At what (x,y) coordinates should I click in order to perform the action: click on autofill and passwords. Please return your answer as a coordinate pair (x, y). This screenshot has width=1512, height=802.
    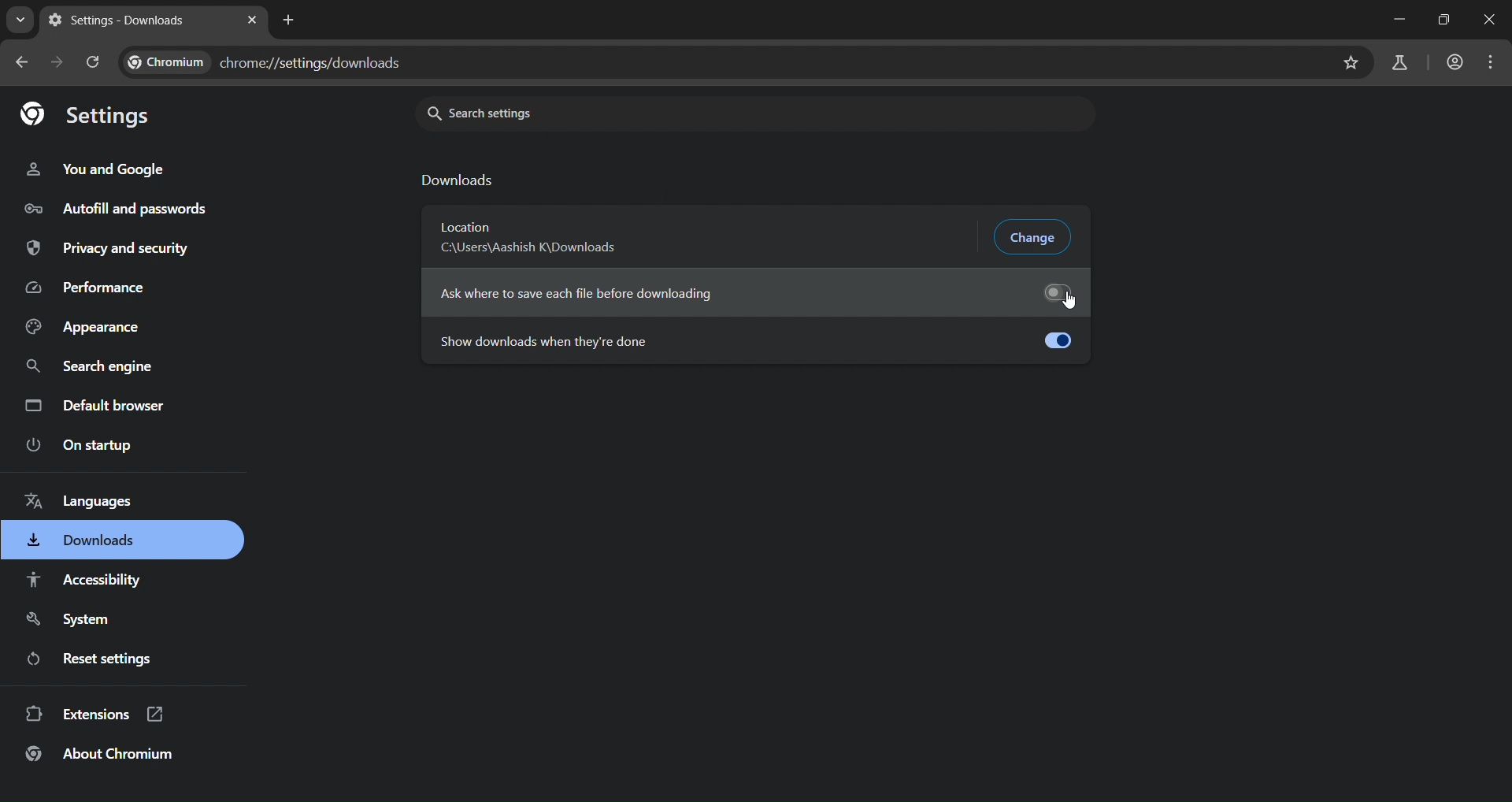
    Looking at the image, I should click on (117, 205).